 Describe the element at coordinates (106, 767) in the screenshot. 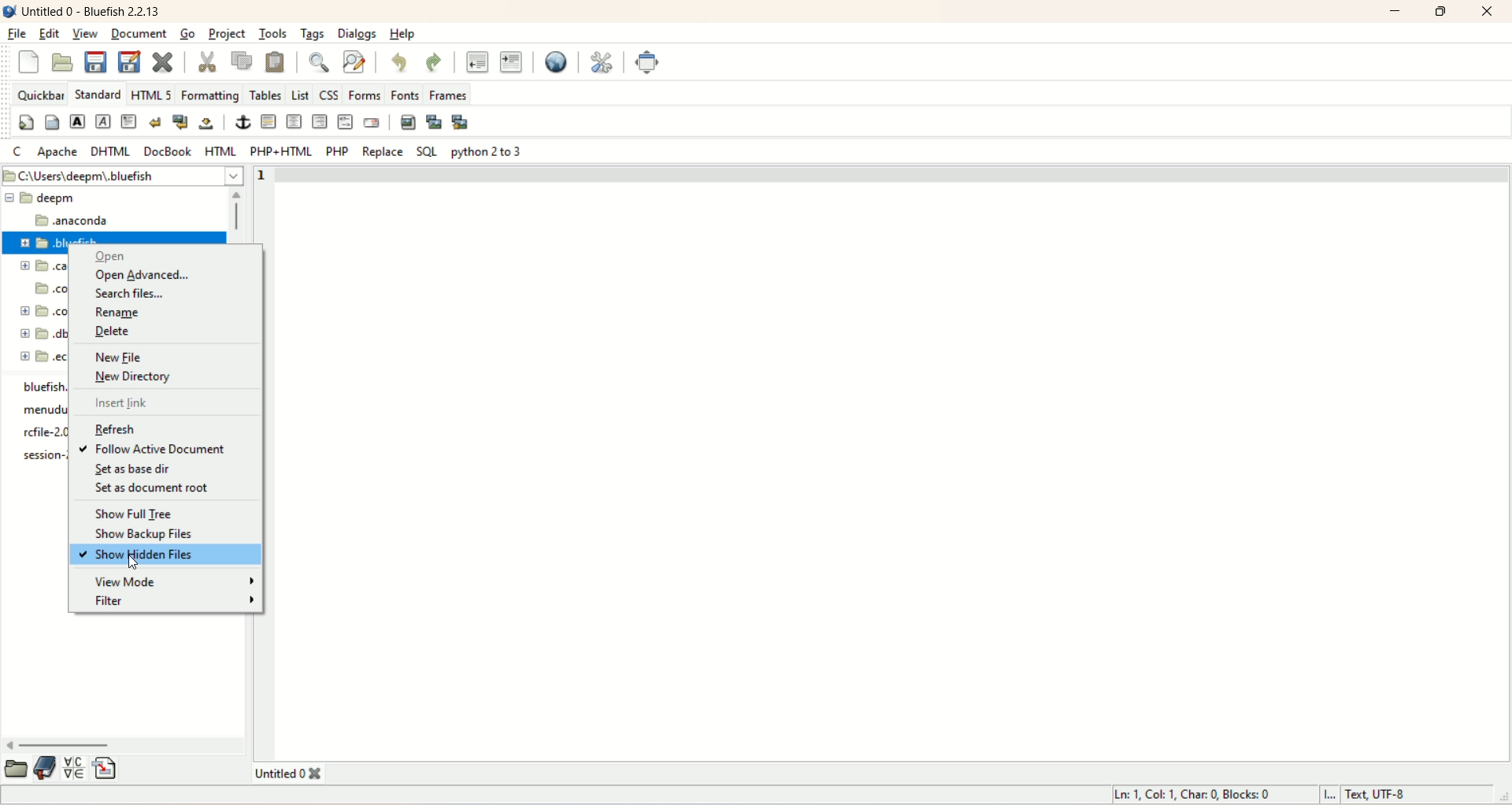

I see `insert file` at that location.